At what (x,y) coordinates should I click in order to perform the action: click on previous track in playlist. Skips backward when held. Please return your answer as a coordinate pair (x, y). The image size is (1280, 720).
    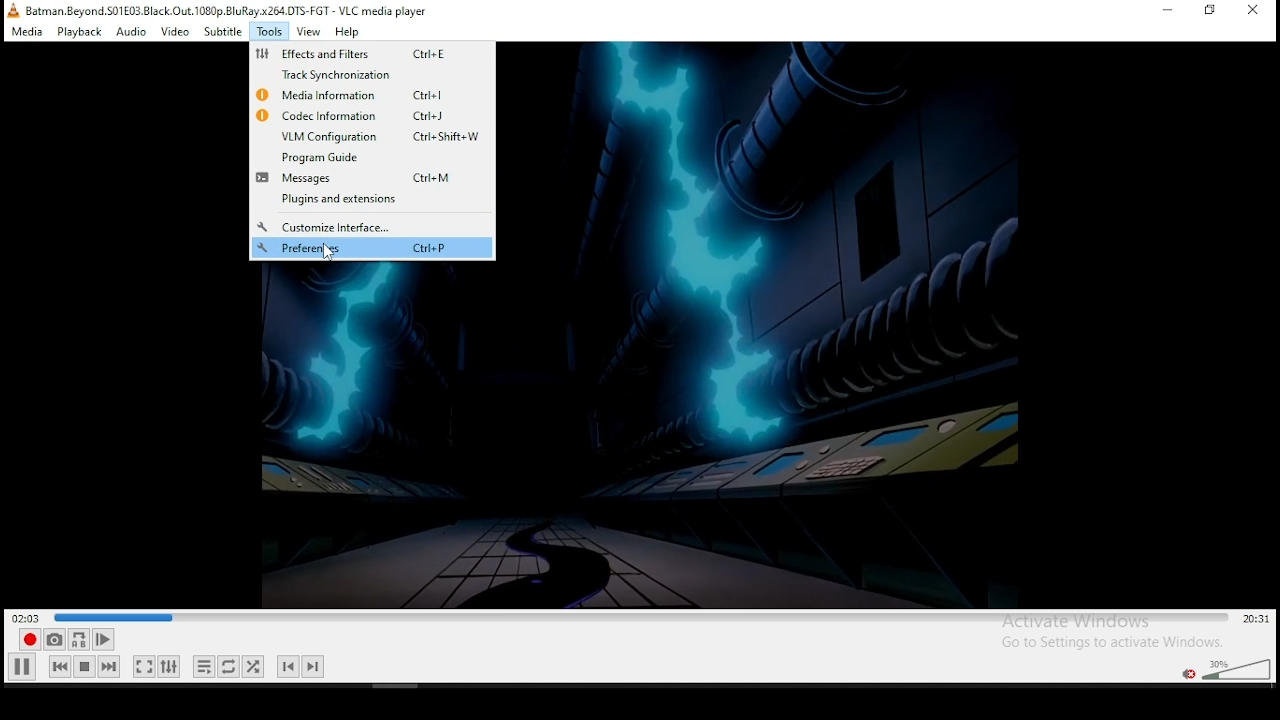
    Looking at the image, I should click on (59, 665).